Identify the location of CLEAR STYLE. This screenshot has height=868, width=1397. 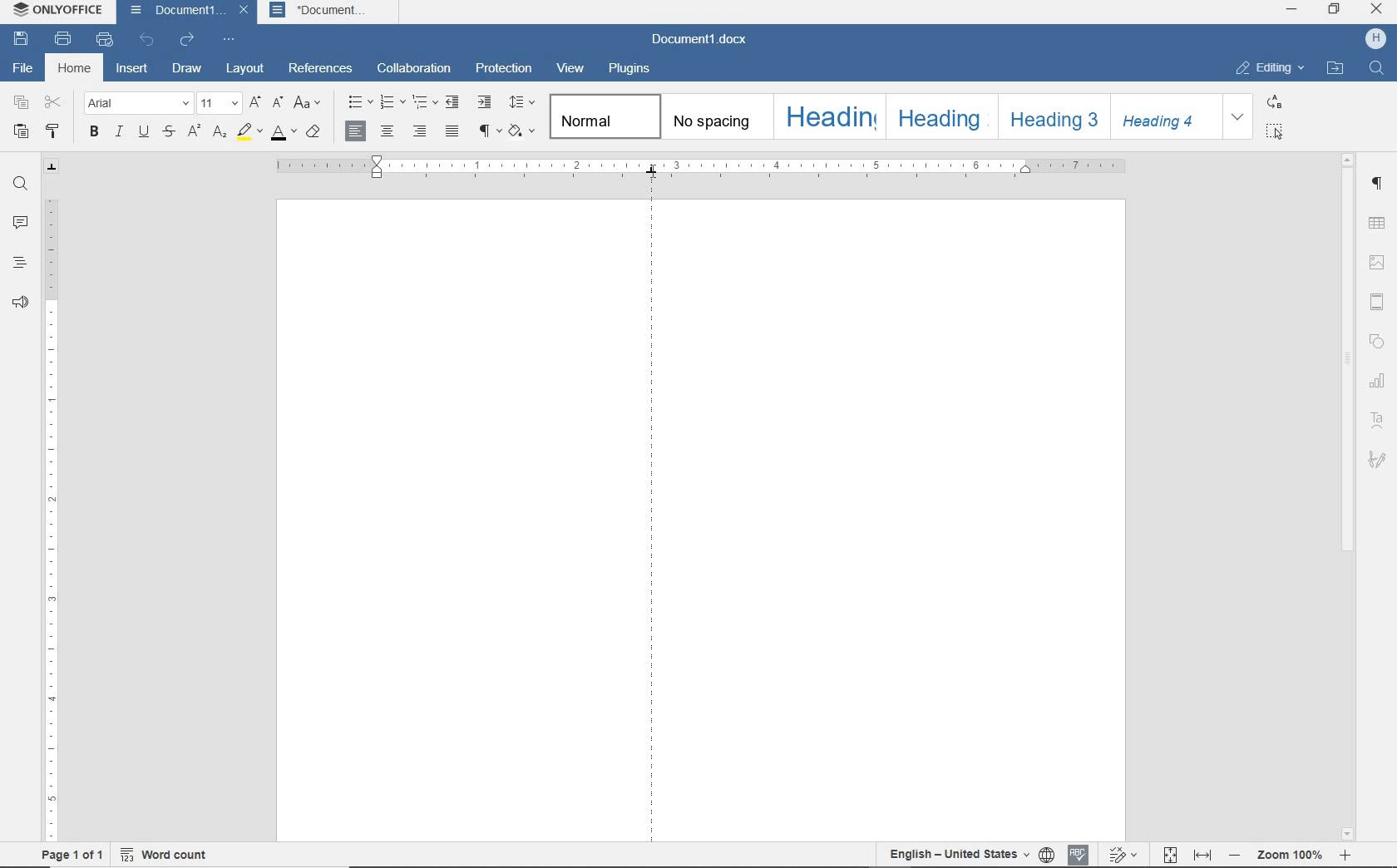
(313, 133).